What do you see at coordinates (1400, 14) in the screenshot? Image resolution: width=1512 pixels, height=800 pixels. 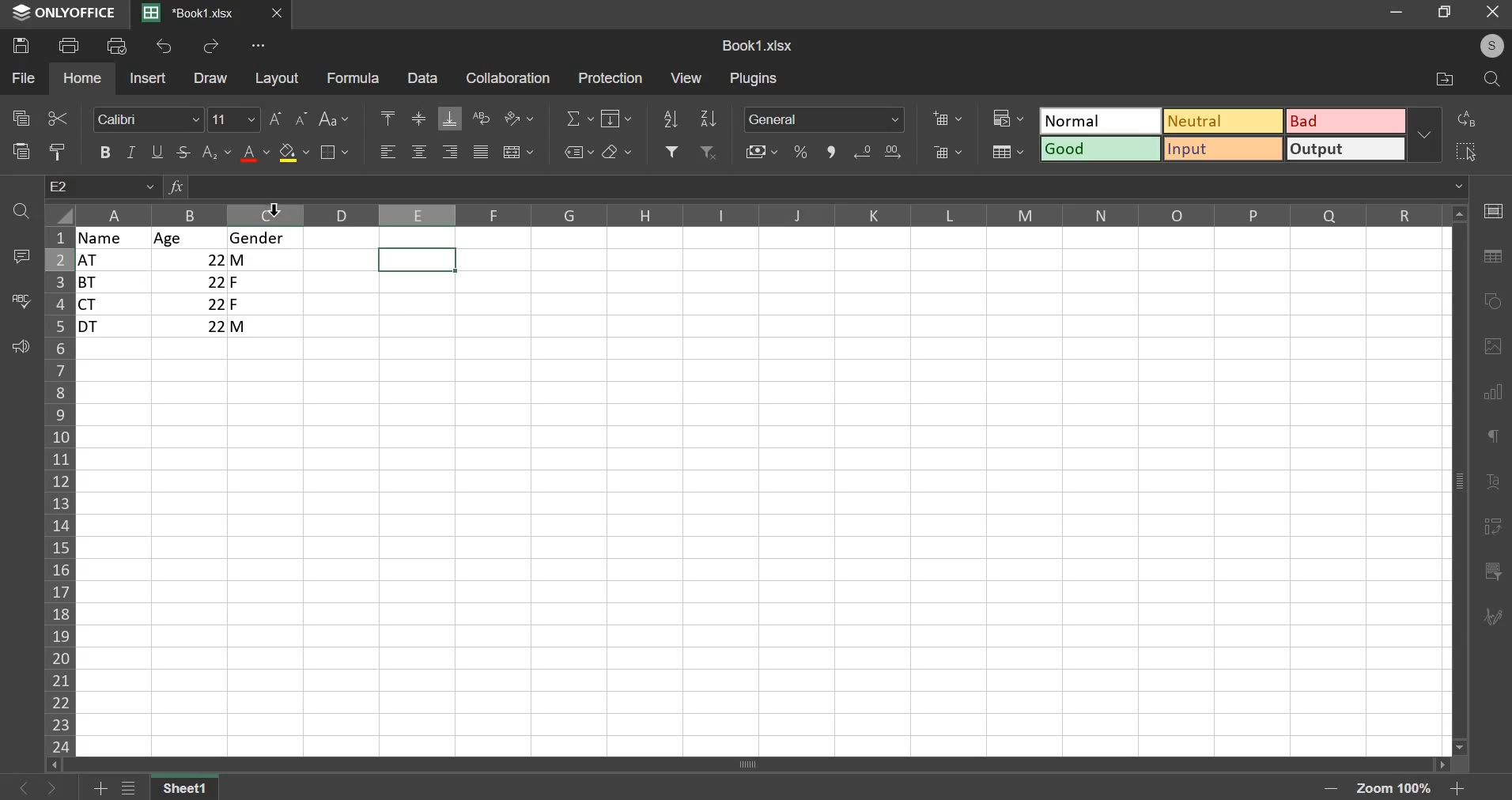 I see `minimize` at bounding box center [1400, 14].